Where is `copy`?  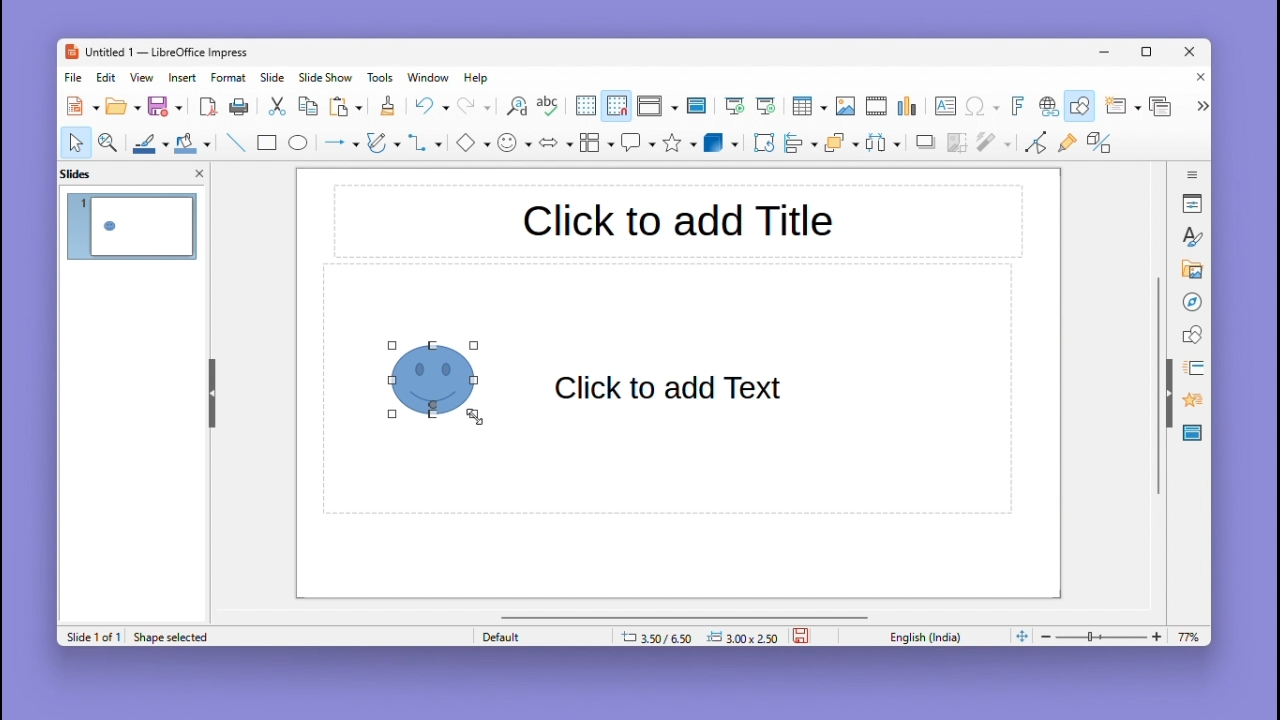
copy is located at coordinates (308, 107).